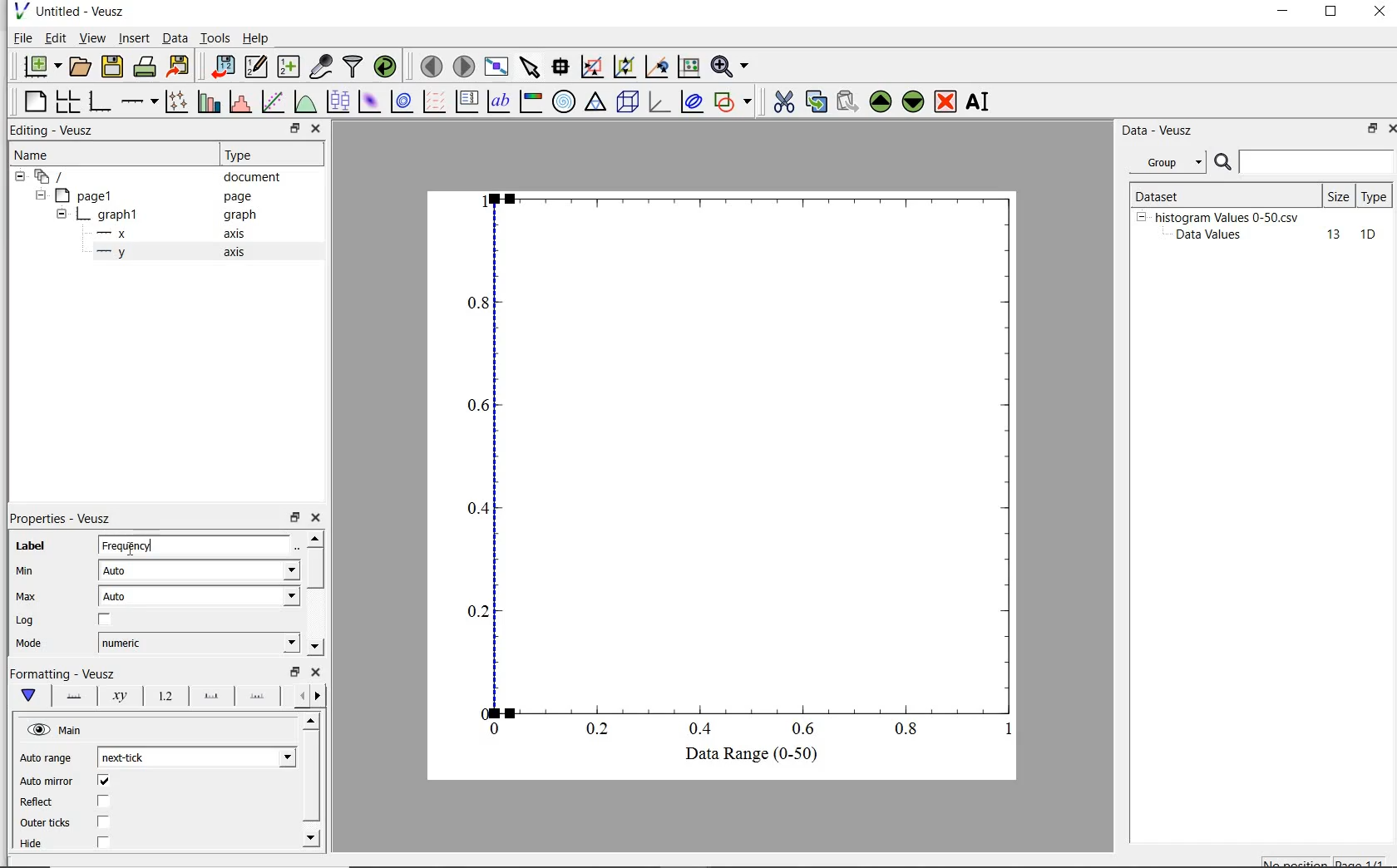 Image resolution: width=1397 pixels, height=868 pixels. Describe the element at coordinates (22, 37) in the screenshot. I see `file` at that location.